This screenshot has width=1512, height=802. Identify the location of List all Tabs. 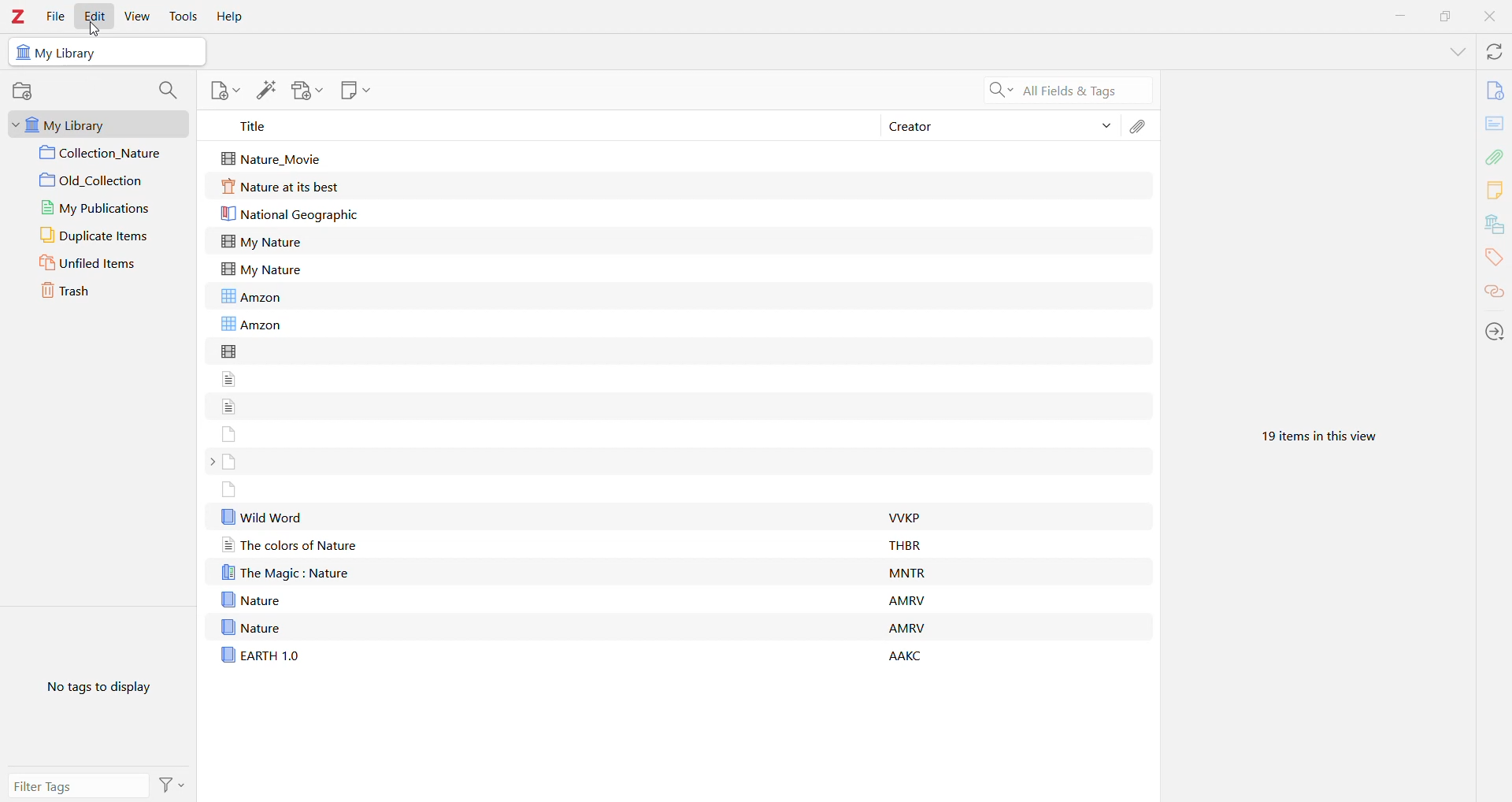
(1455, 50).